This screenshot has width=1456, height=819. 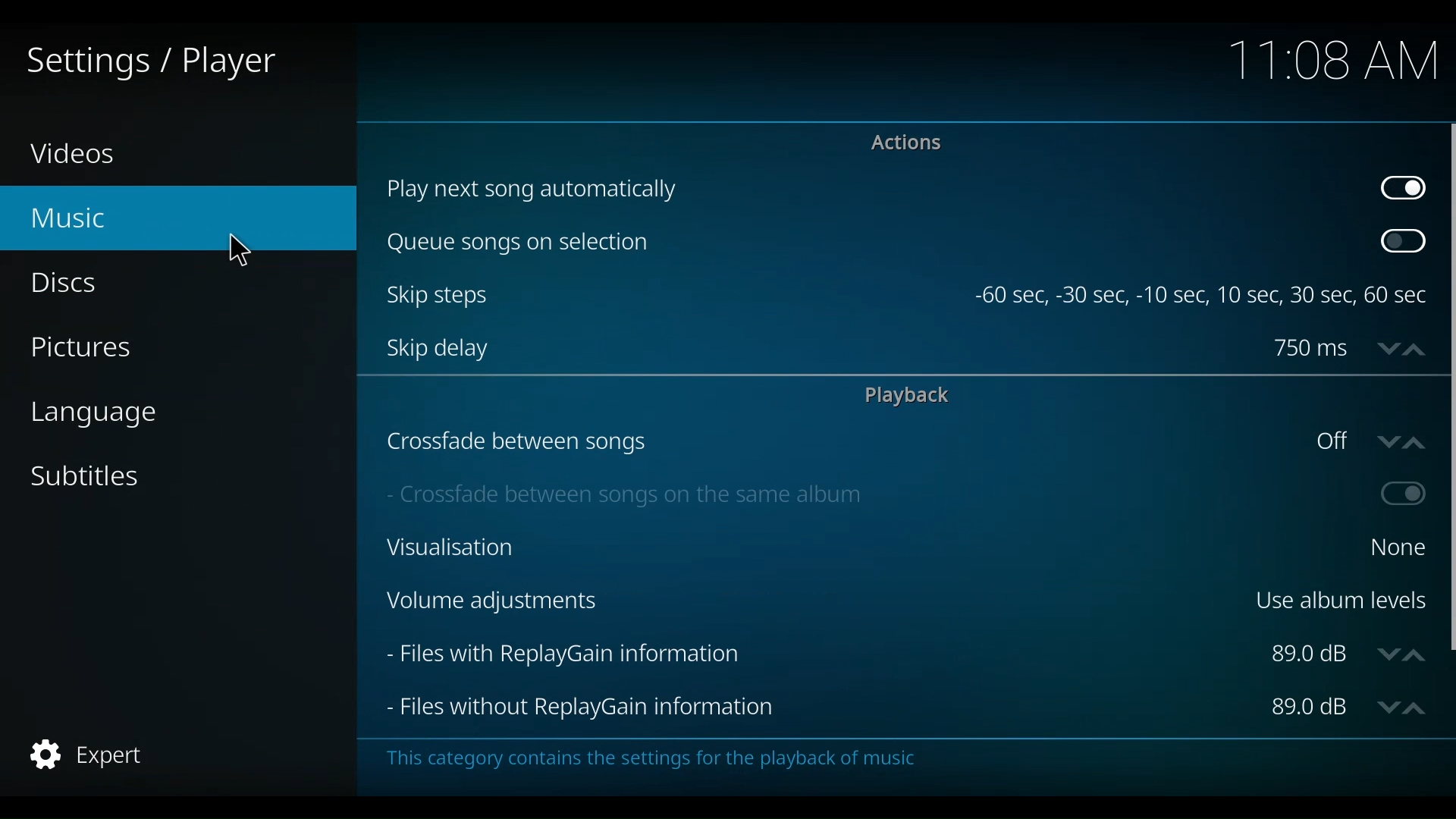 I want to click on up, so click(x=1419, y=706).